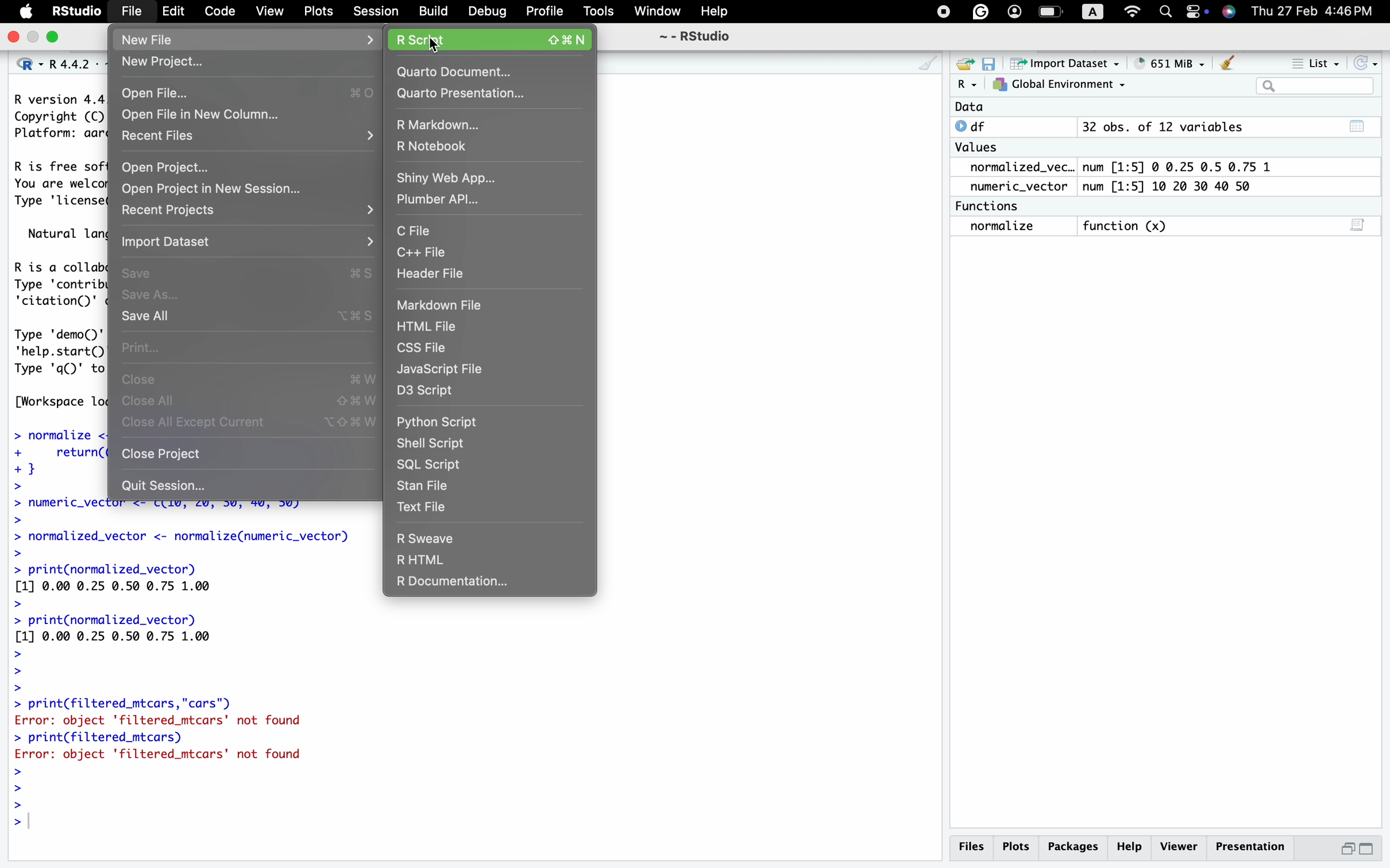  Describe the element at coordinates (1128, 187) in the screenshot. I see `numeric_vector num [1:5] 10 20 30 40 50` at that location.